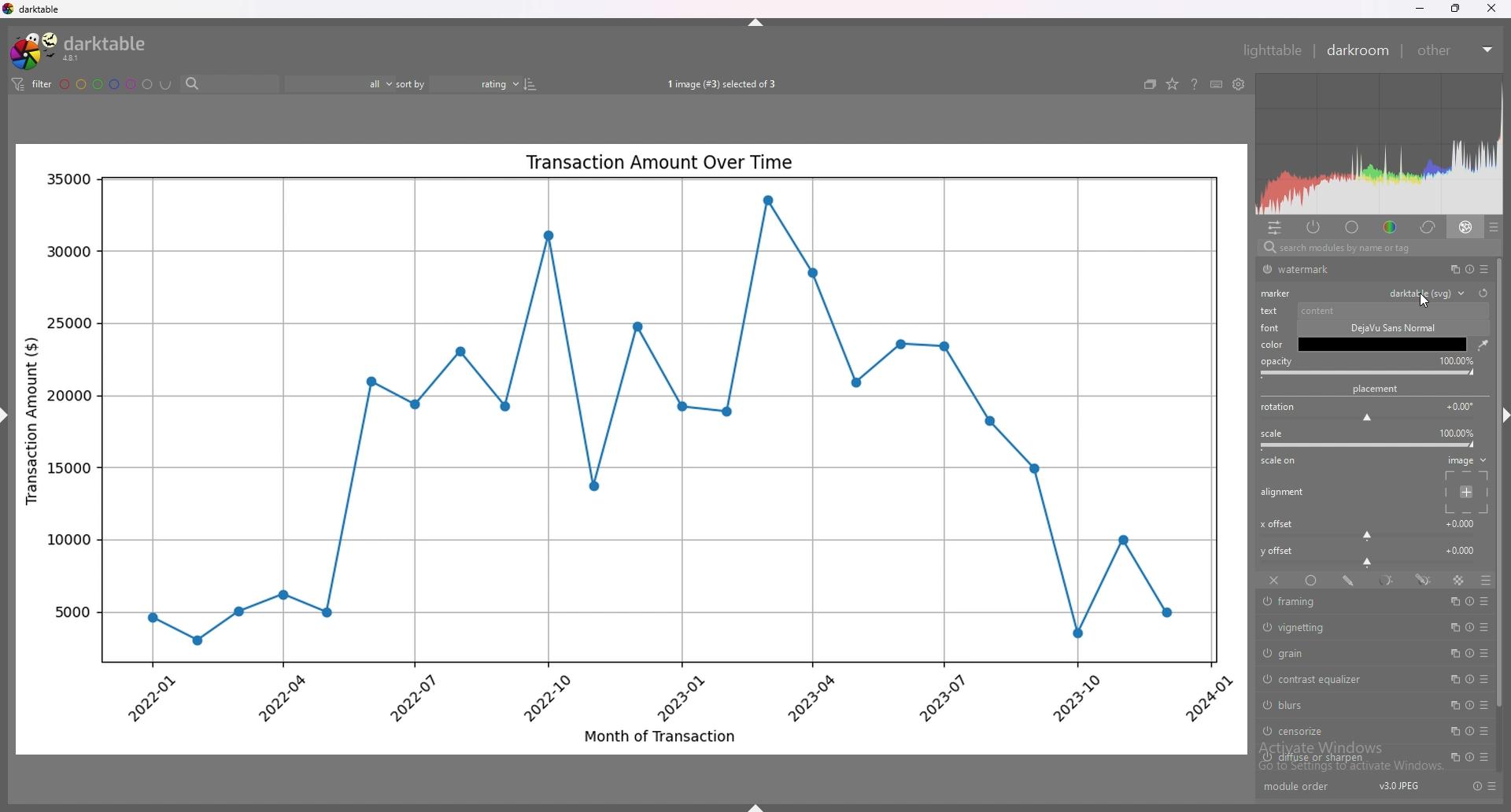 The width and height of the screenshot is (1511, 812). What do you see at coordinates (1173, 85) in the screenshot?
I see `change type of overlays` at bounding box center [1173, 85].